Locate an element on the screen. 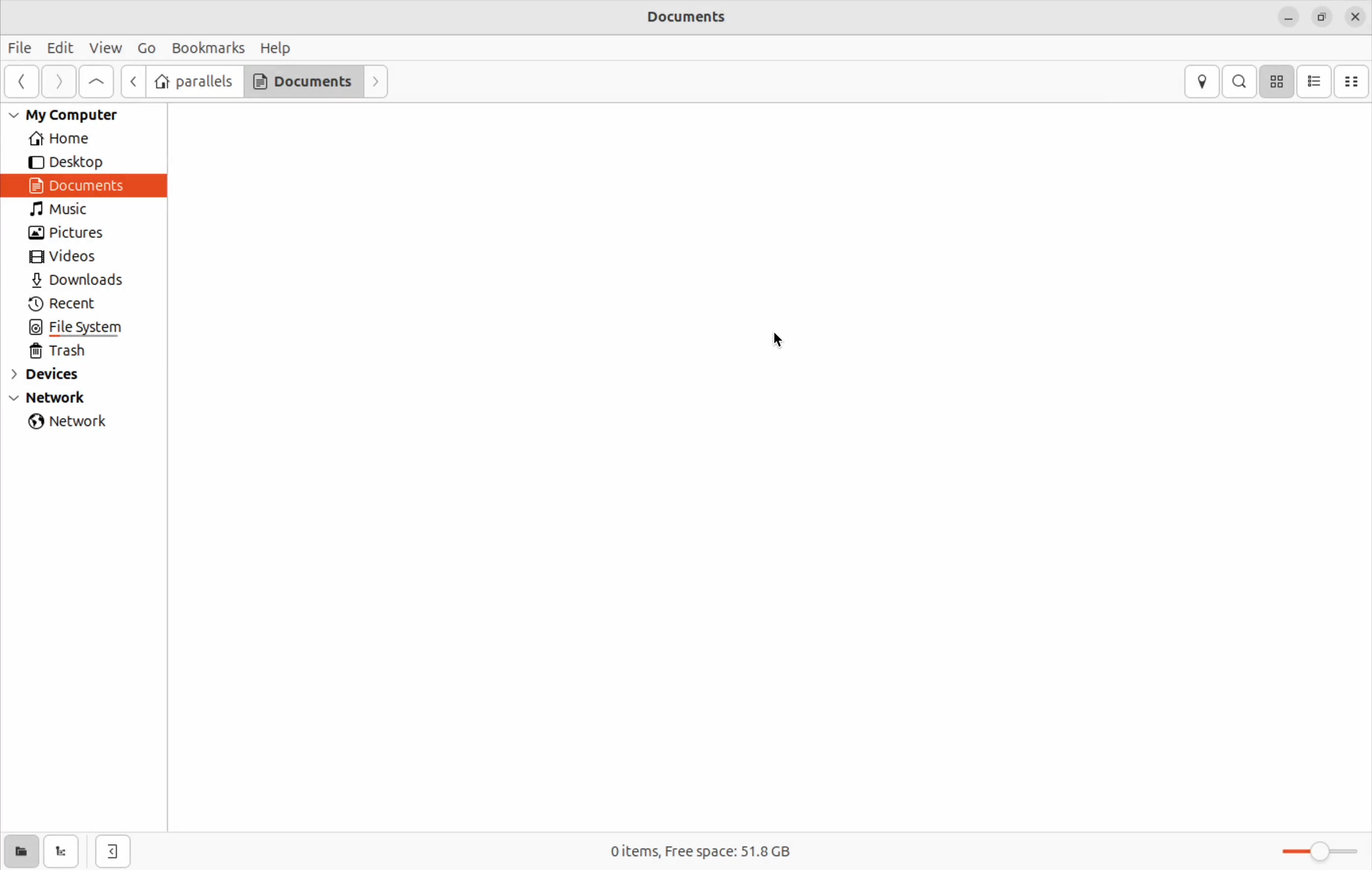 Image resolution: width=1372 pixels, height=870 pixels. Videos is located at coordinates (76, 256).